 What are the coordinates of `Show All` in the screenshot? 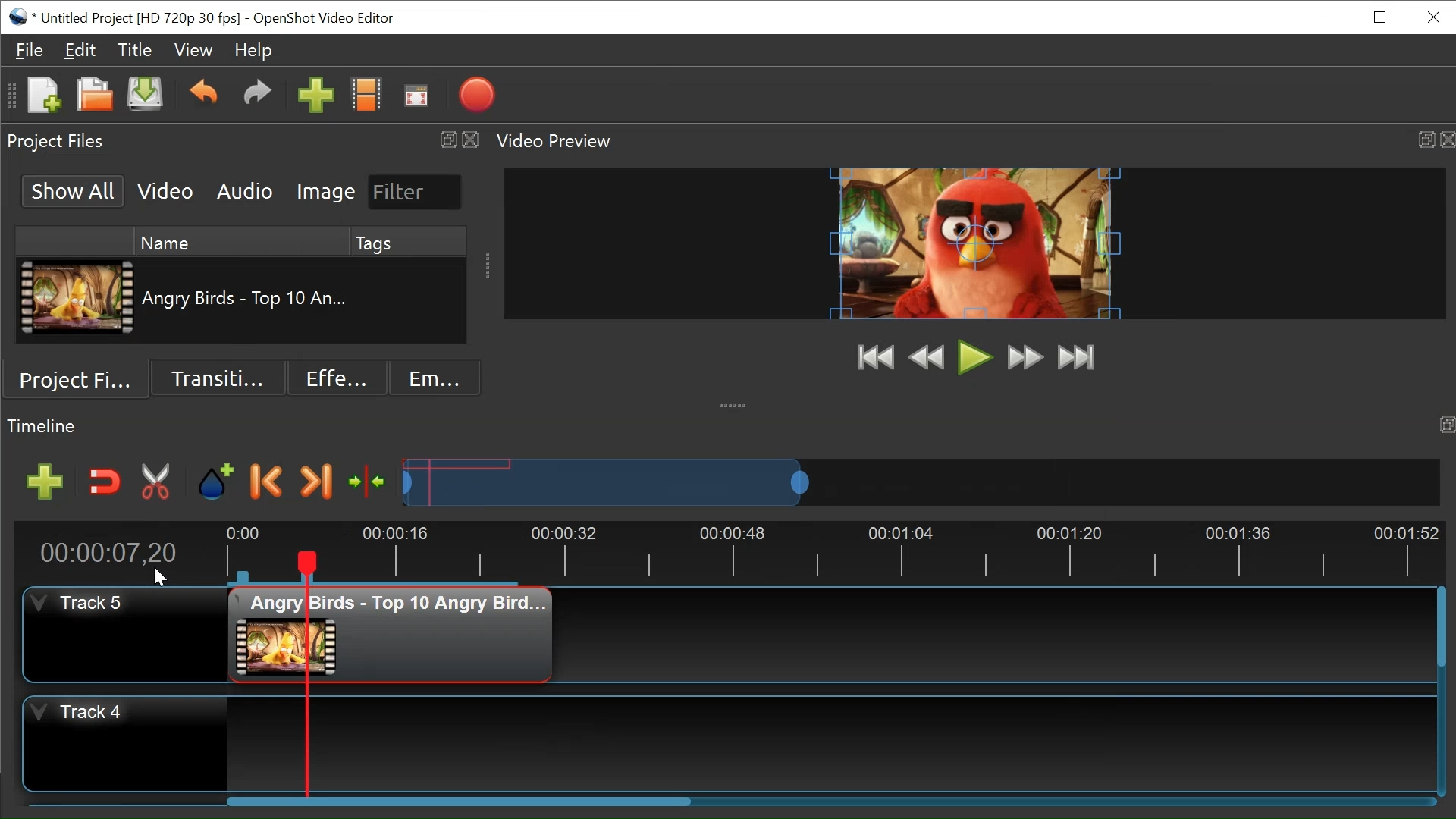 It's located at (71, 191).